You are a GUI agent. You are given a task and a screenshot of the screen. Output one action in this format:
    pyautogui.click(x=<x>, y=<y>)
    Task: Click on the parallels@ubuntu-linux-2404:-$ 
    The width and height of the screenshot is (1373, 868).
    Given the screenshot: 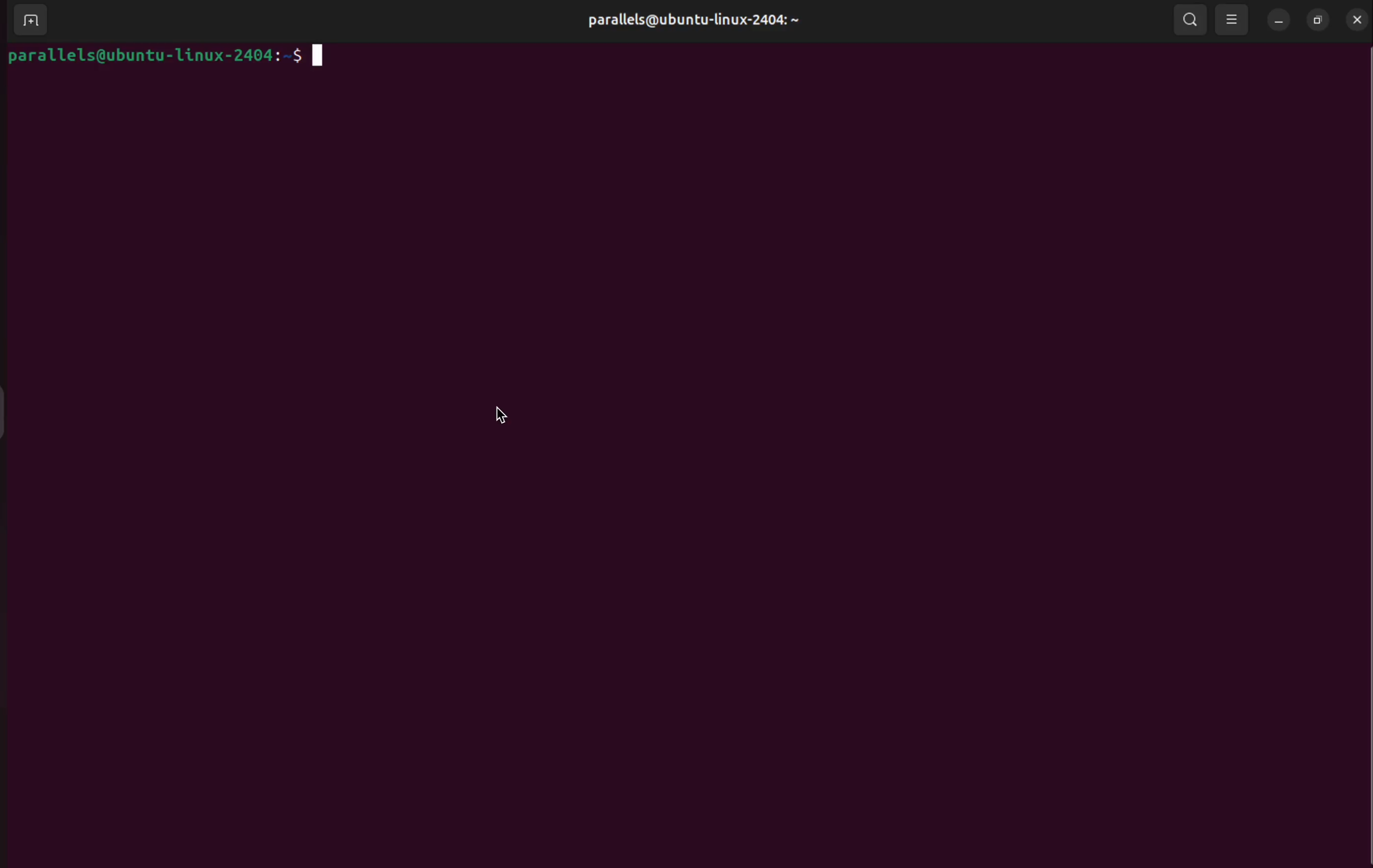 What is the action you would take?
    pyautogui.click(x=165, y=59)
    